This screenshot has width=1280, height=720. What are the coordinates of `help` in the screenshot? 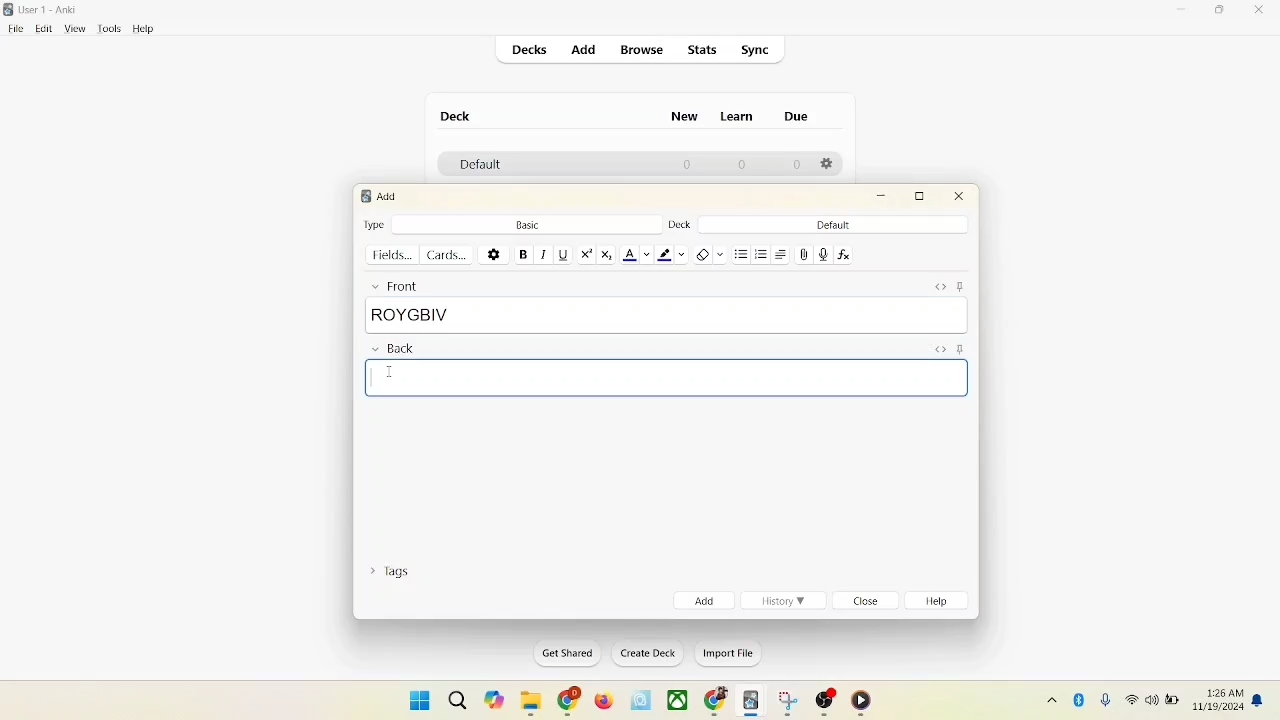 It's located at (144, 29).